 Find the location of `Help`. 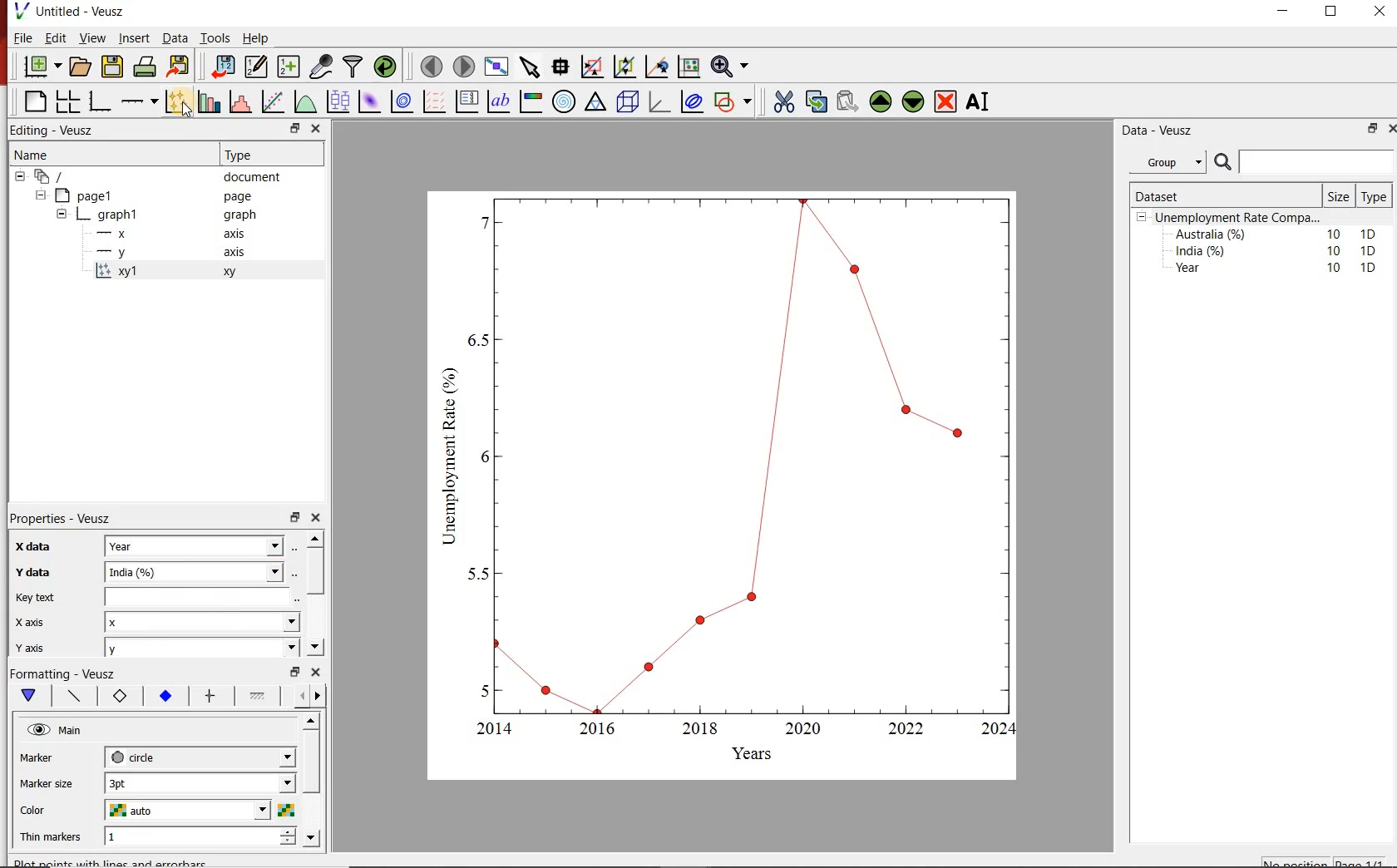

Help is located at coordinates (256, 38).